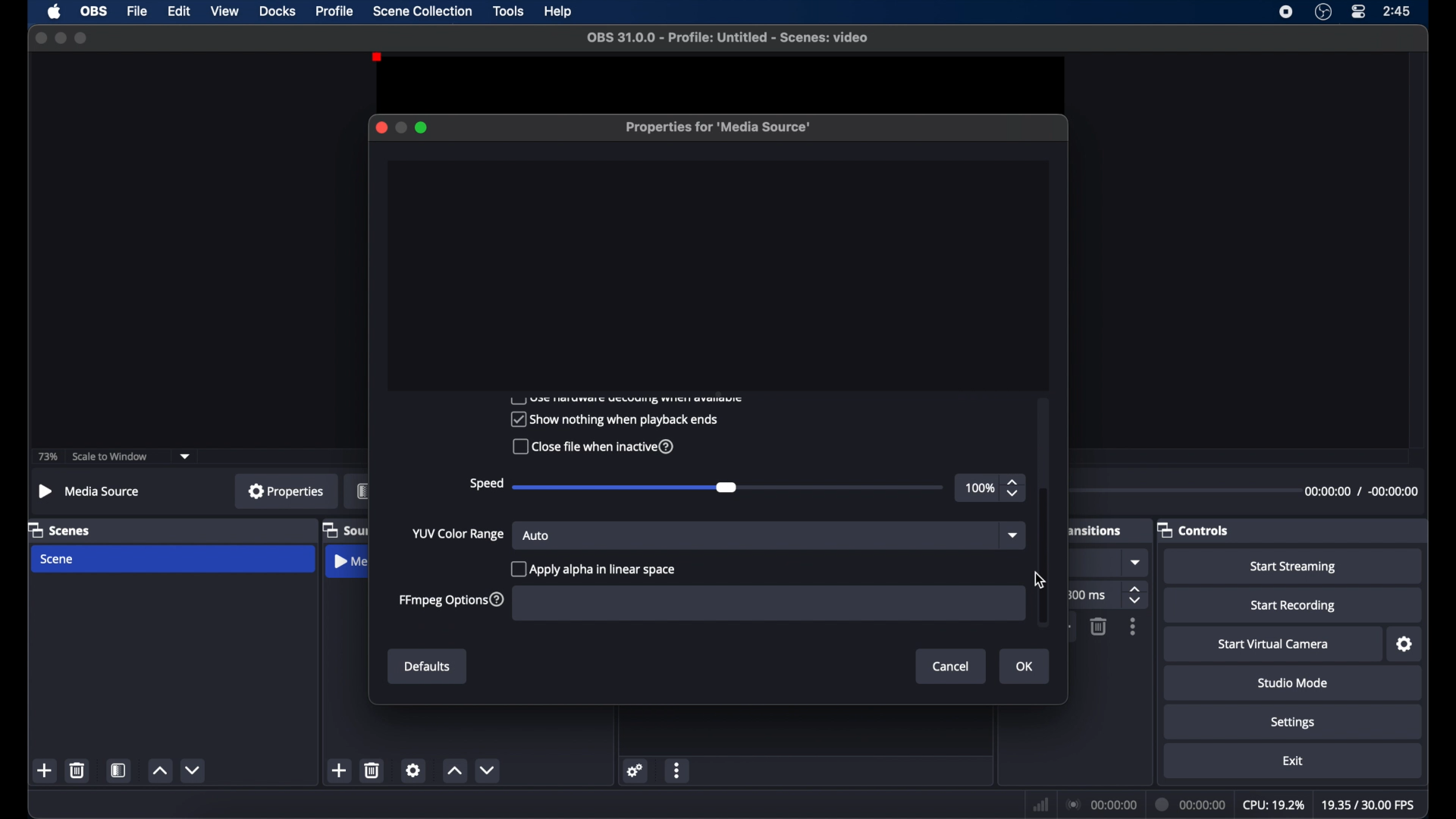 This screenshot has width=1456, height=819. I want to click on ffmpeg options, so click(451, 601).